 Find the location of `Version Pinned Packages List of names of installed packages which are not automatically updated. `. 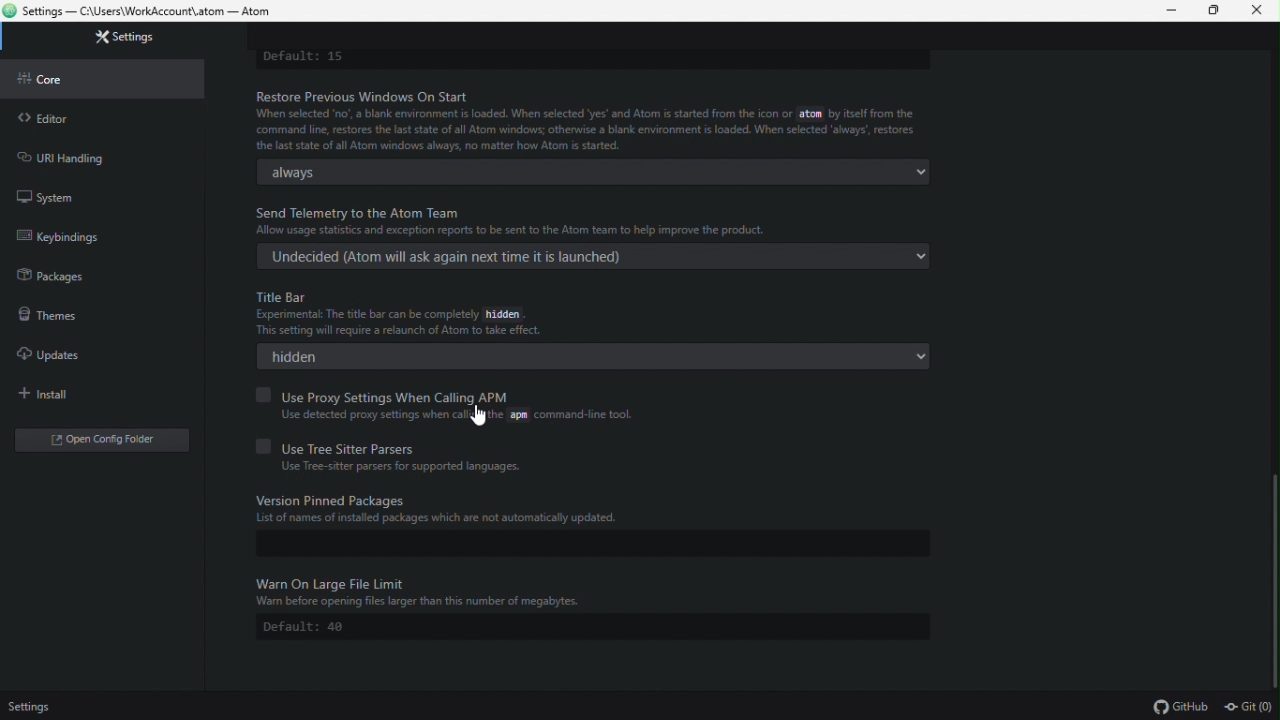

Version Pinned Packages List of names of installed packages which are not automatically updated.  is located at coordinates (596, 511).